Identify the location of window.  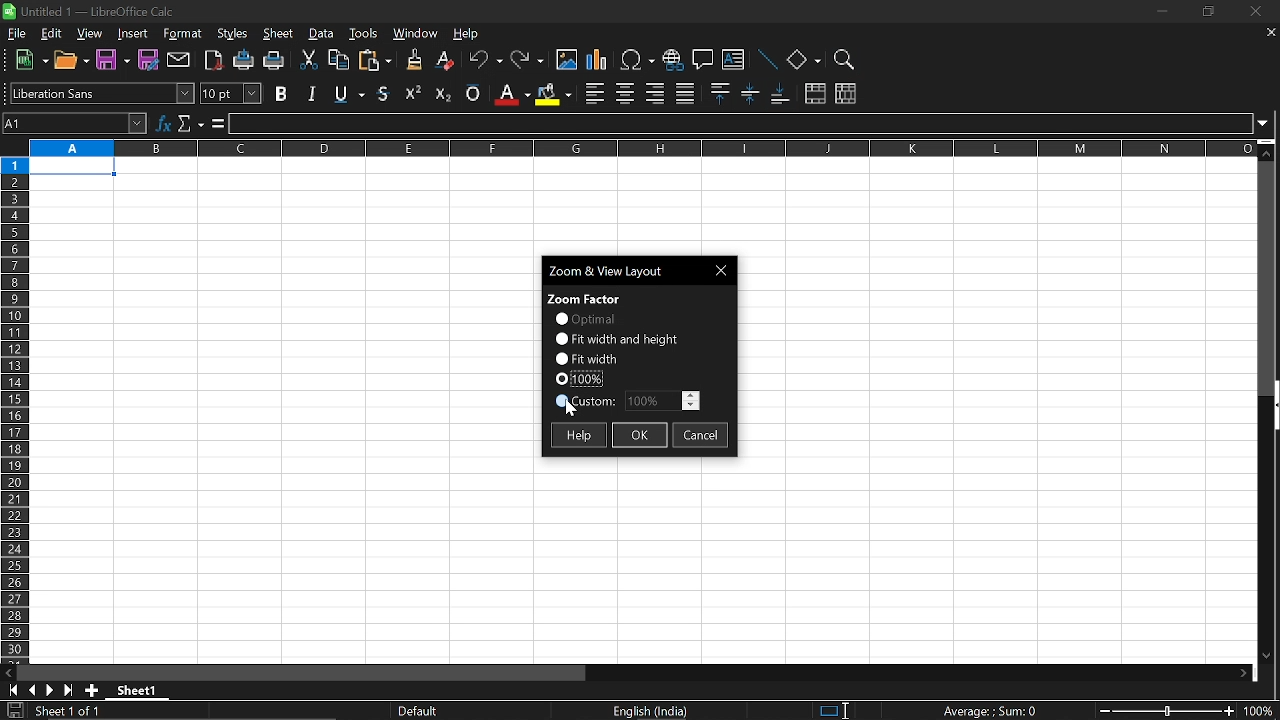
(416, 35).